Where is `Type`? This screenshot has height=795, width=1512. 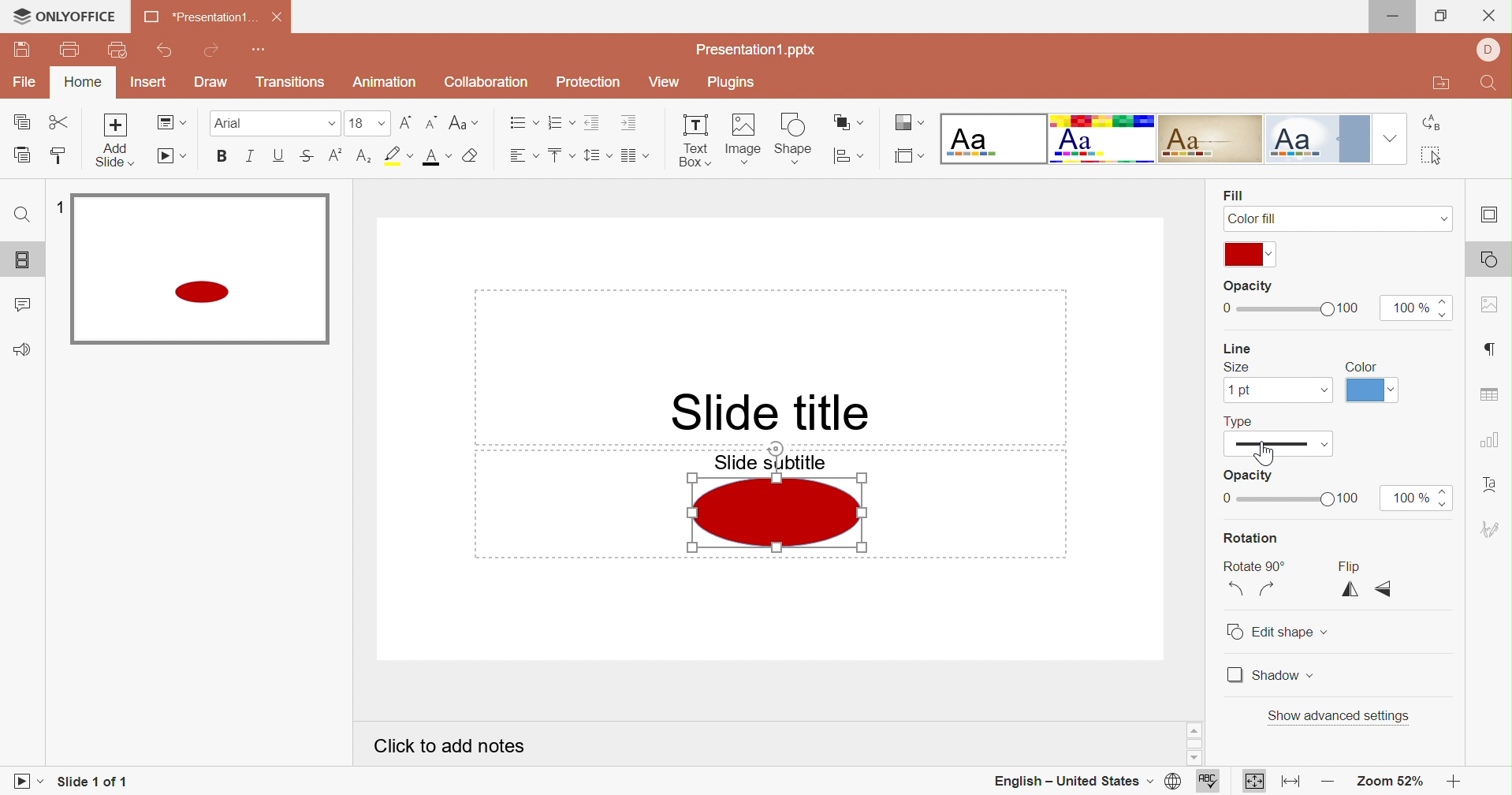 Type is located at coordinates (1237, 421).